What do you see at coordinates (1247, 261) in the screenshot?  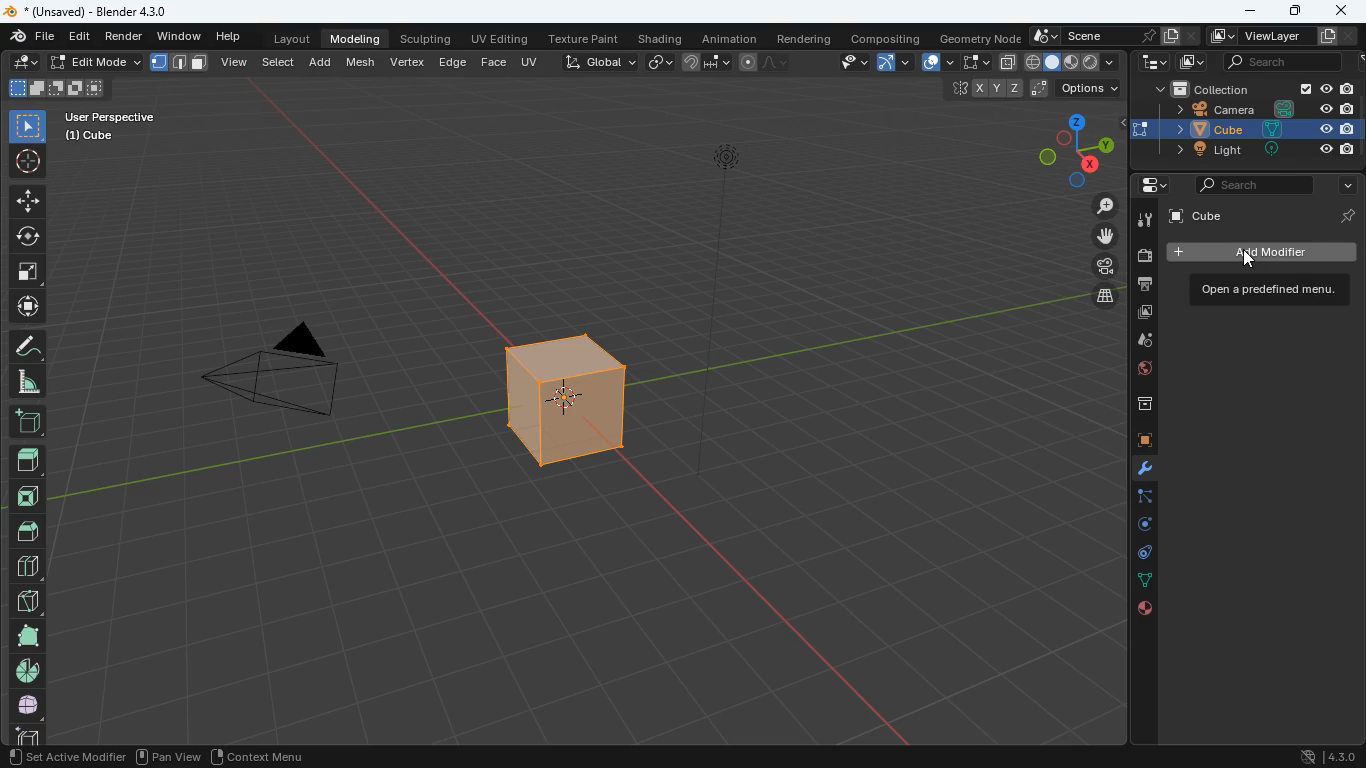 I see `cursor` at bounding box center [1247, 261].